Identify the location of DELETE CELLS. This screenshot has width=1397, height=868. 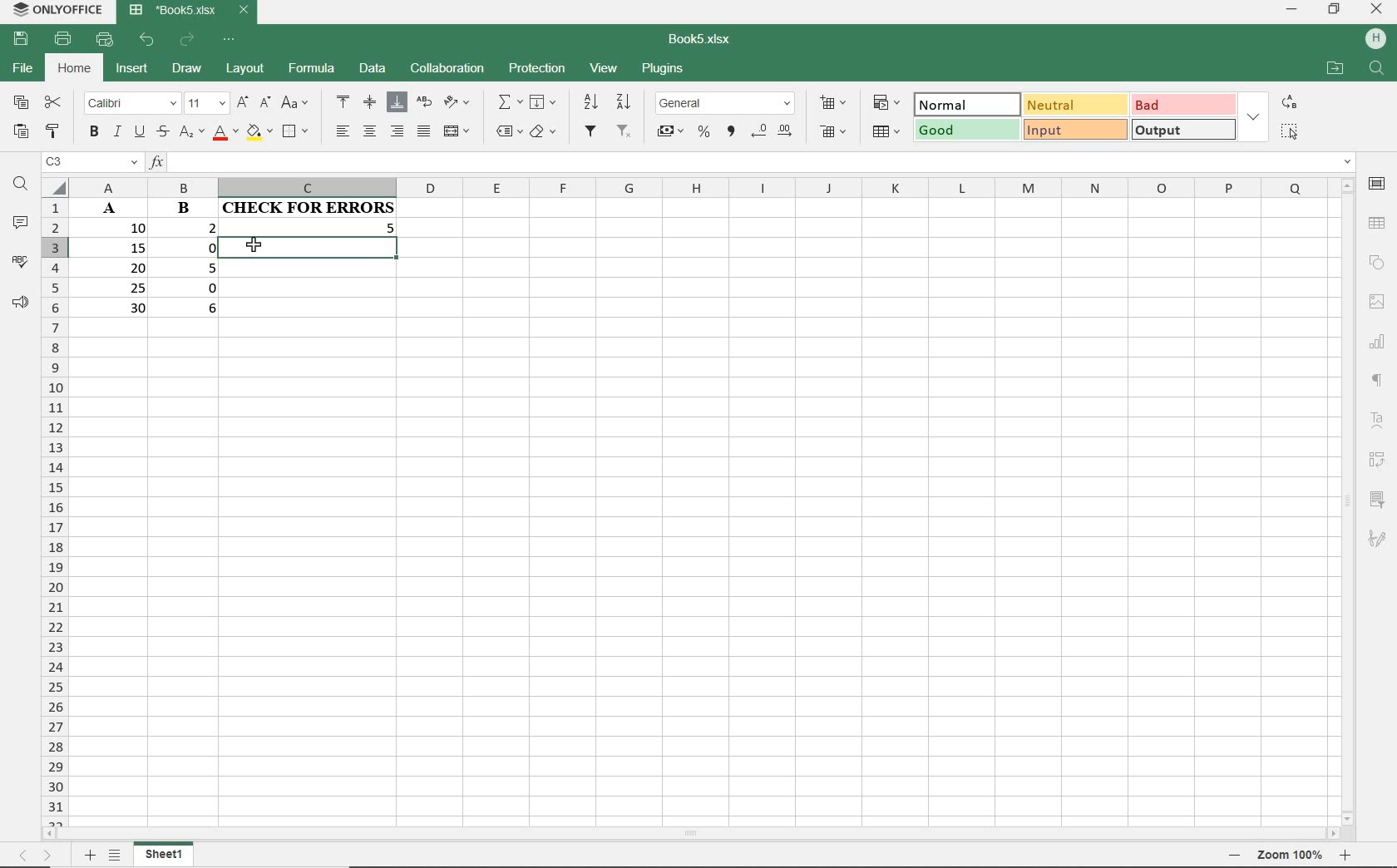
(835, 131).